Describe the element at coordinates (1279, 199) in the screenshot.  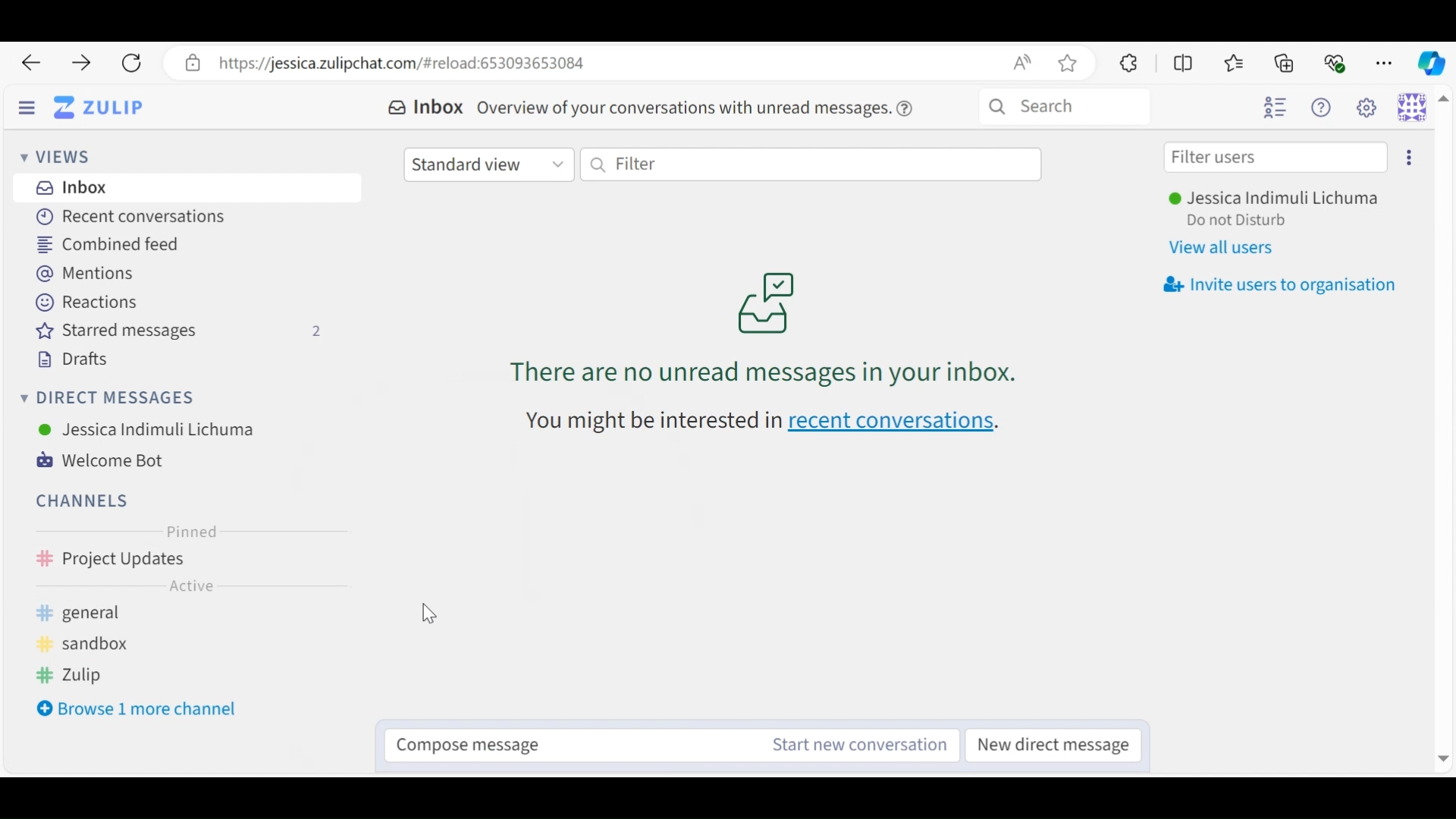
I see `User` at that location.